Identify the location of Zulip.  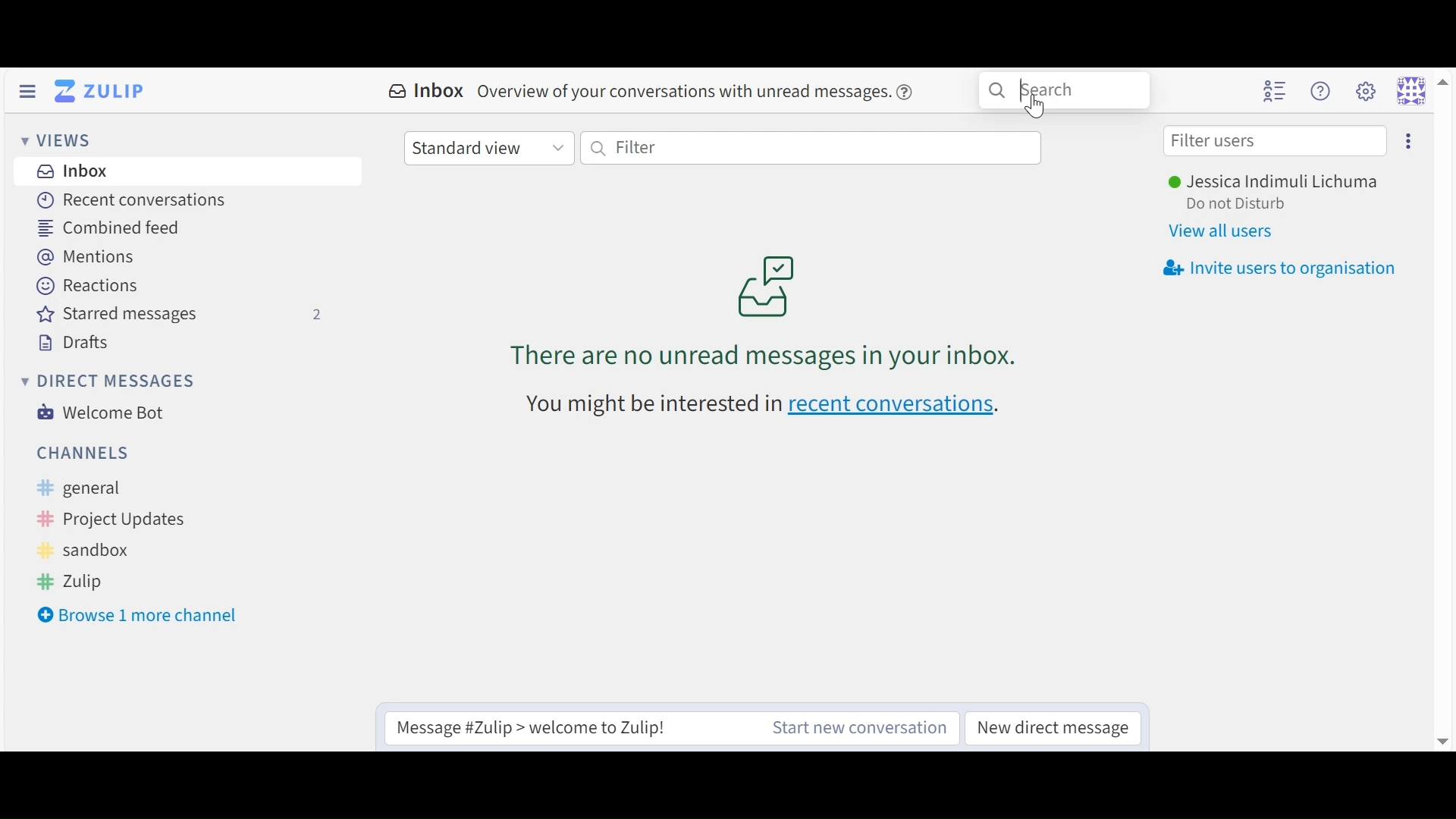
(92, 579).